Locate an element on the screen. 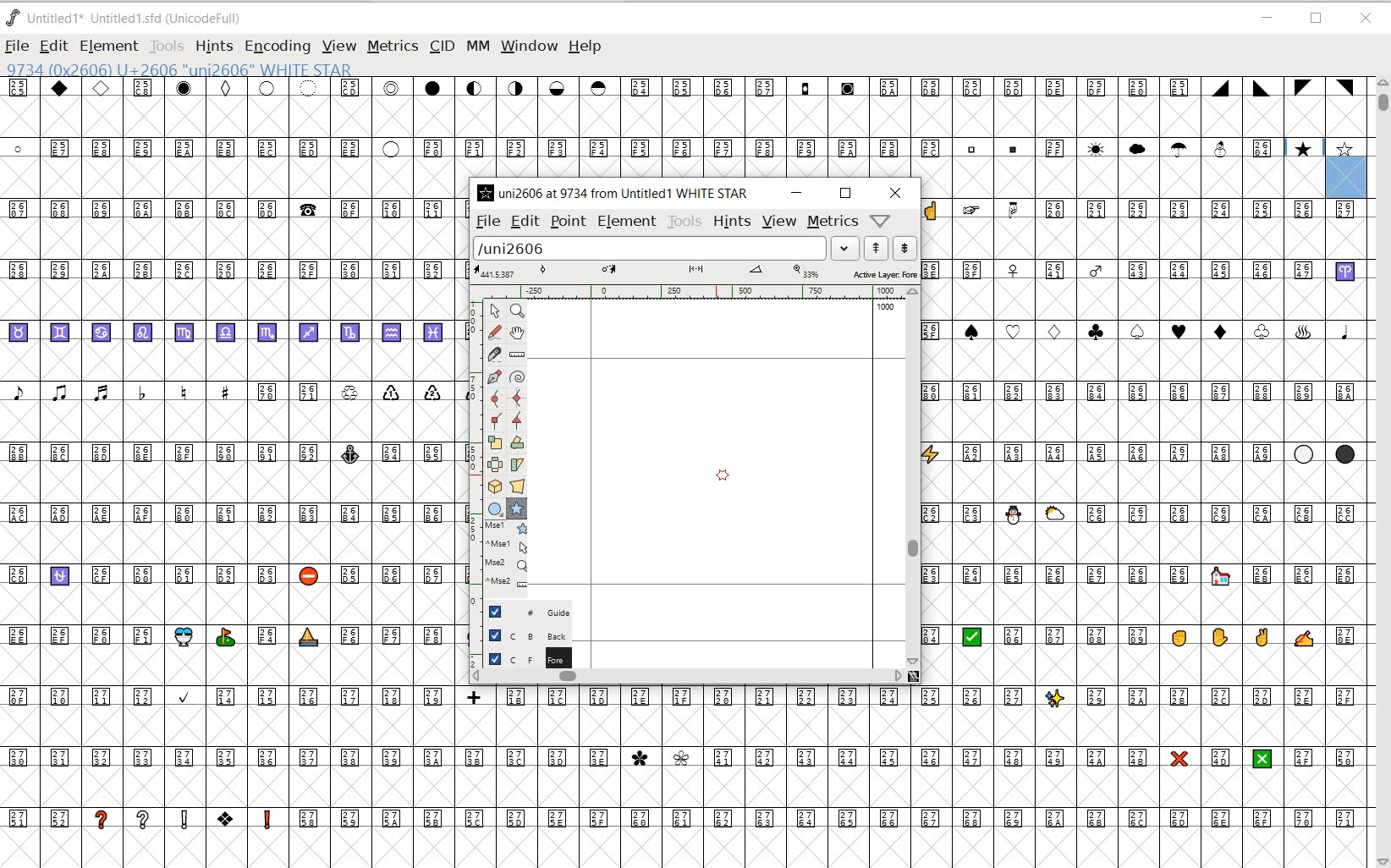 Image resolution: width=1391 pixels, height=868 pixels. EDIT is located at coordinates (52, 47).